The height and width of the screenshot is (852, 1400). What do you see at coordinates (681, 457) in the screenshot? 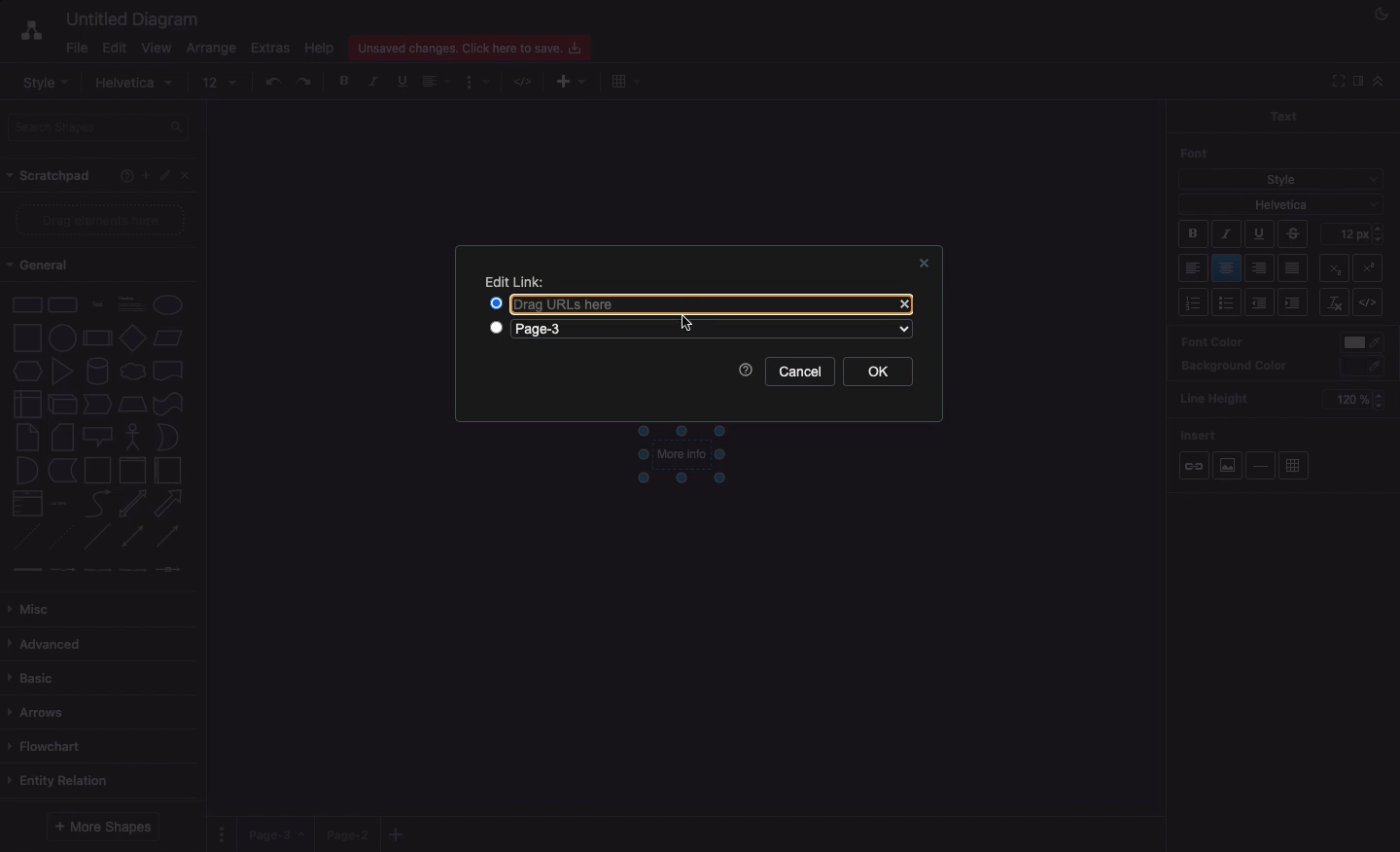
I see `More info` at bounding box center [681, 457].